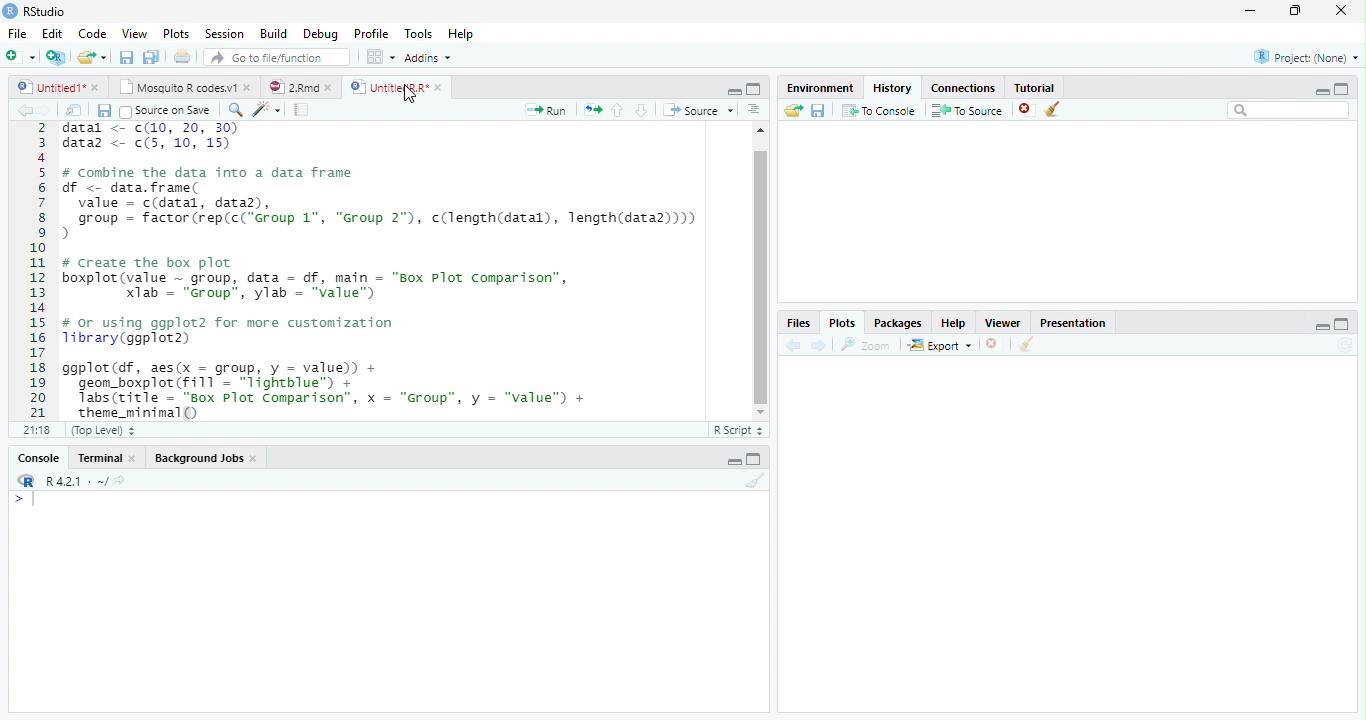 The width and height of the screenshot is (1366, 720). Describe the element at coordinates (641, 111) in the screenshot. I see `Go to next section/chunk` at that location.